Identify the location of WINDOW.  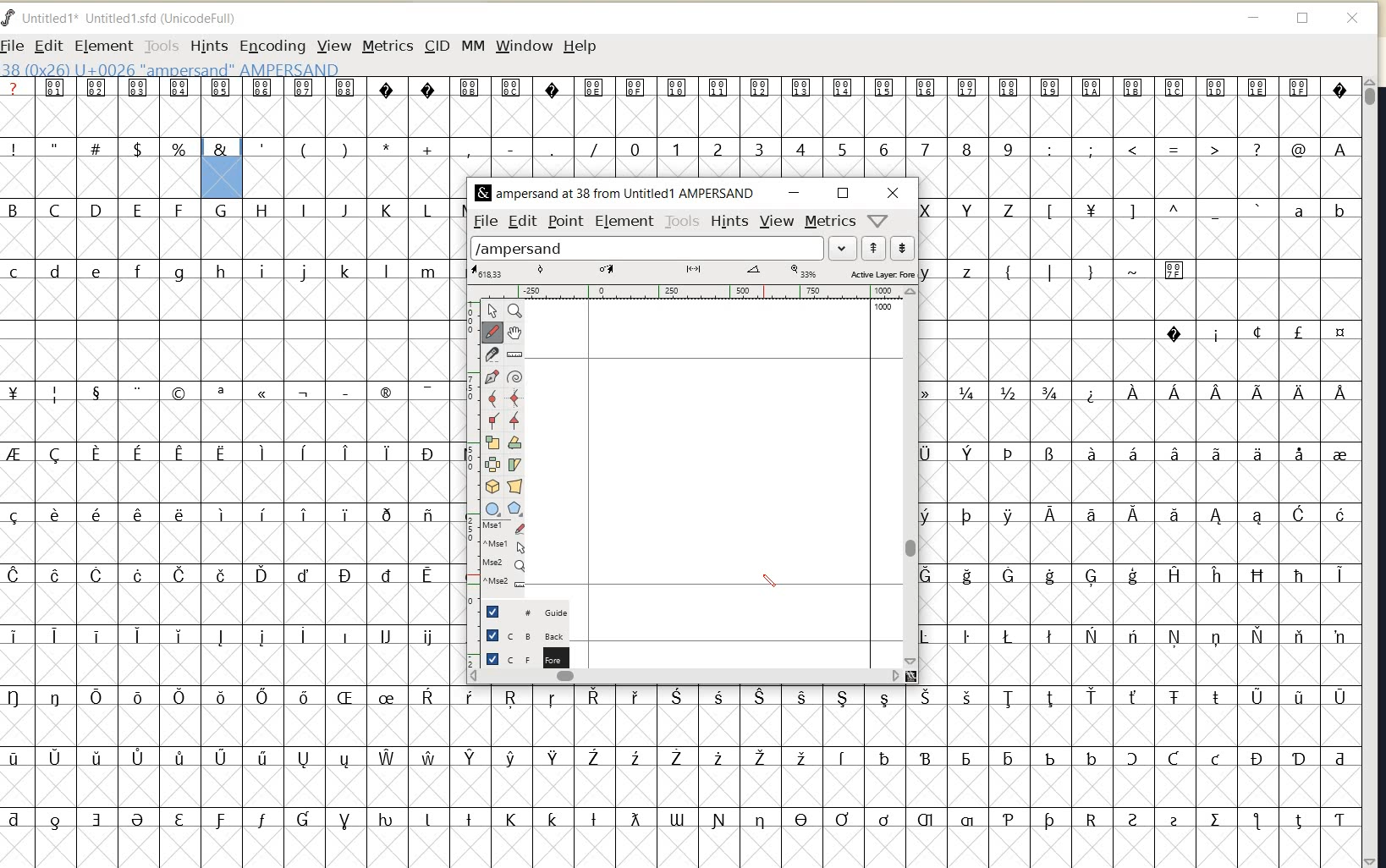
(525, 46).